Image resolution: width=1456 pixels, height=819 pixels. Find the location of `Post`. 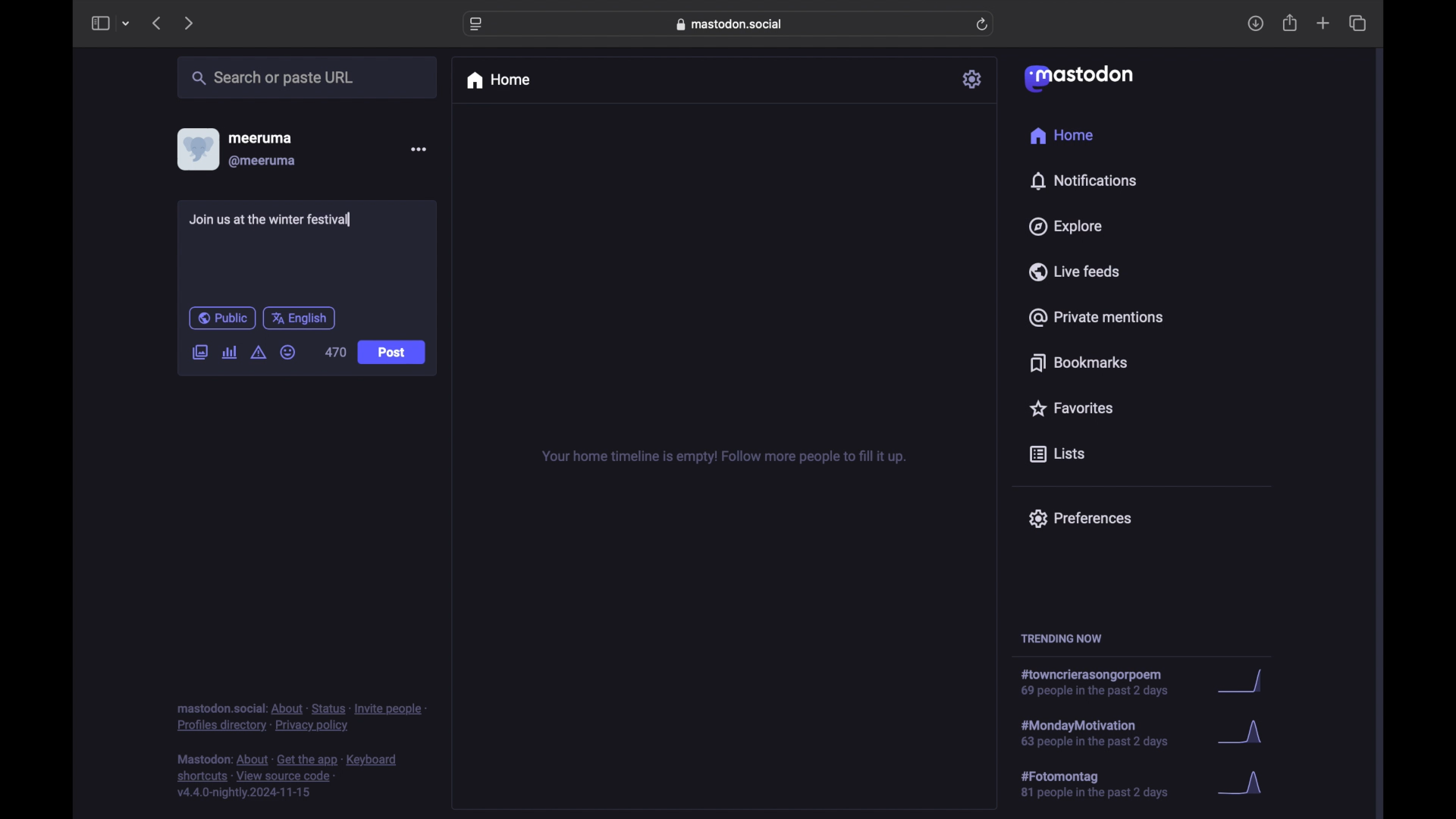

Post is located at coordinates (393, 353).